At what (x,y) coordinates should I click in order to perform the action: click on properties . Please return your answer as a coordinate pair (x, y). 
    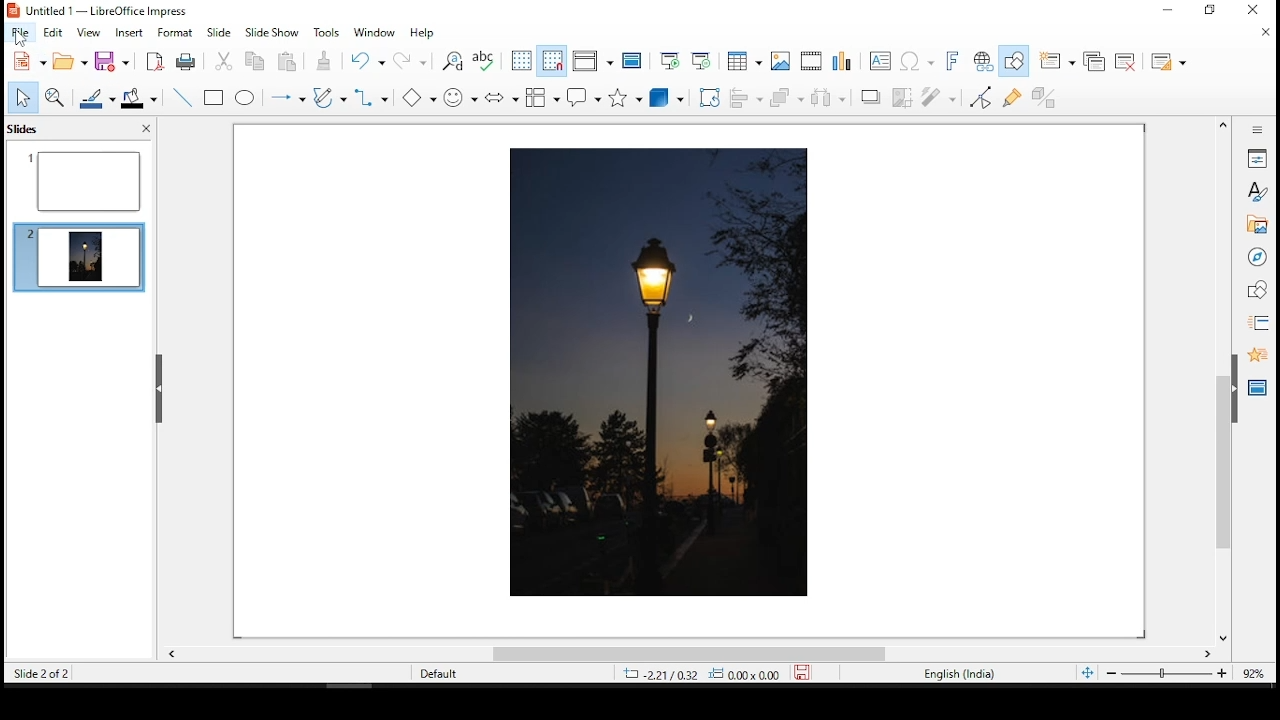
    Looking at the image, I should click on (1257, 157).